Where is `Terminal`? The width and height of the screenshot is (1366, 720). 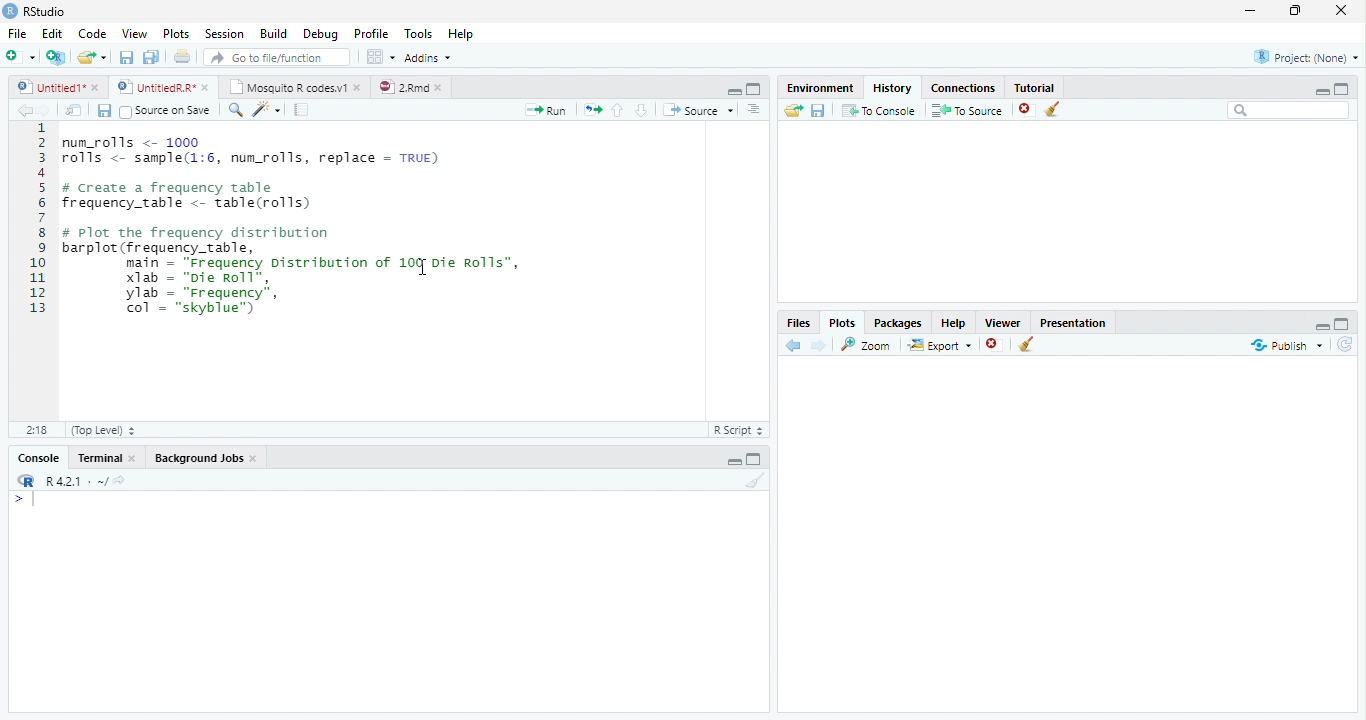 Terminal is located at coordinates (109, 457).